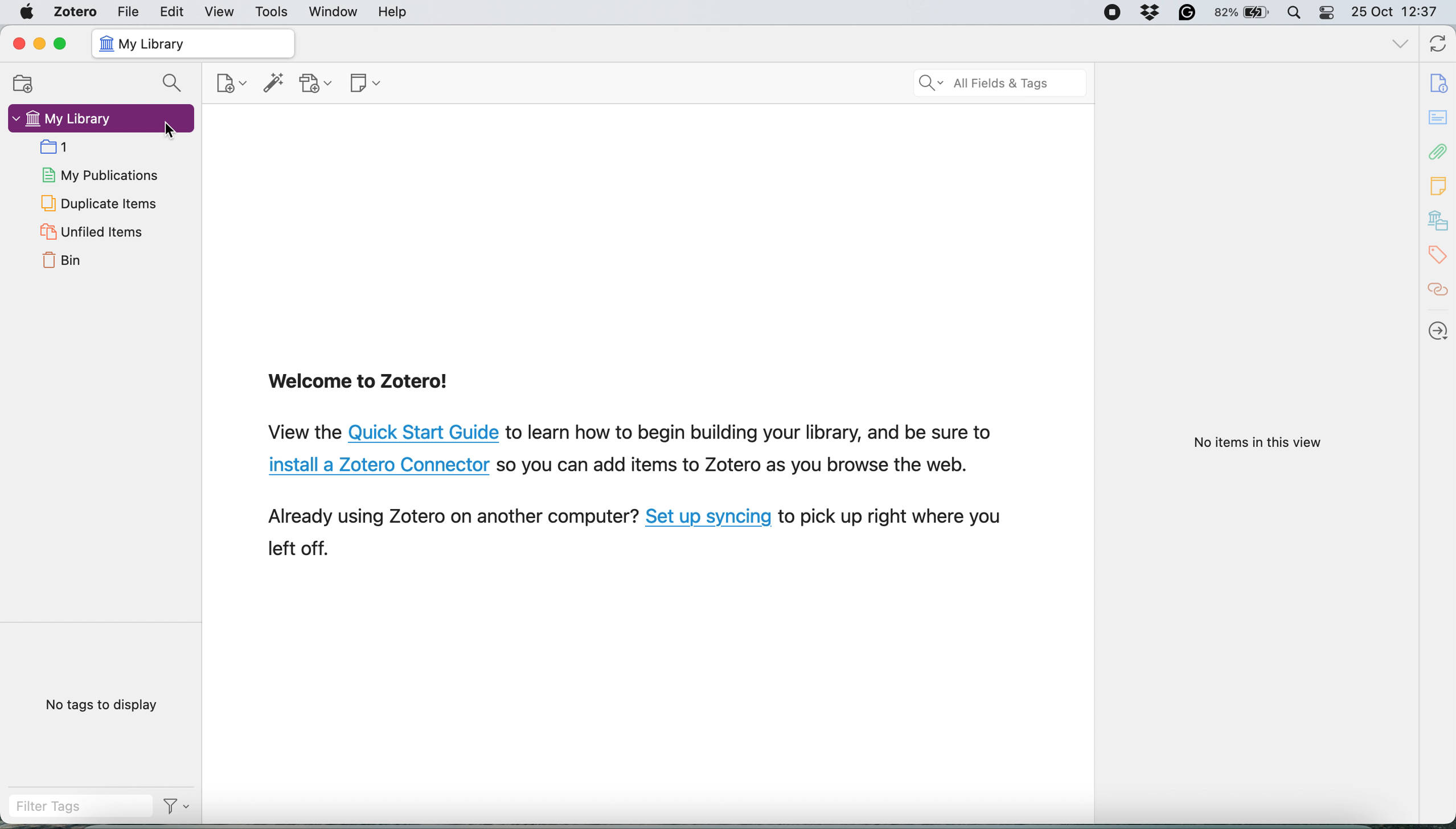 The width and height of the screenshot is (1456, 829). What do you see at coordinates (273, 12) in the screenshot?
I see `tools` at bounding box center [273, 12].